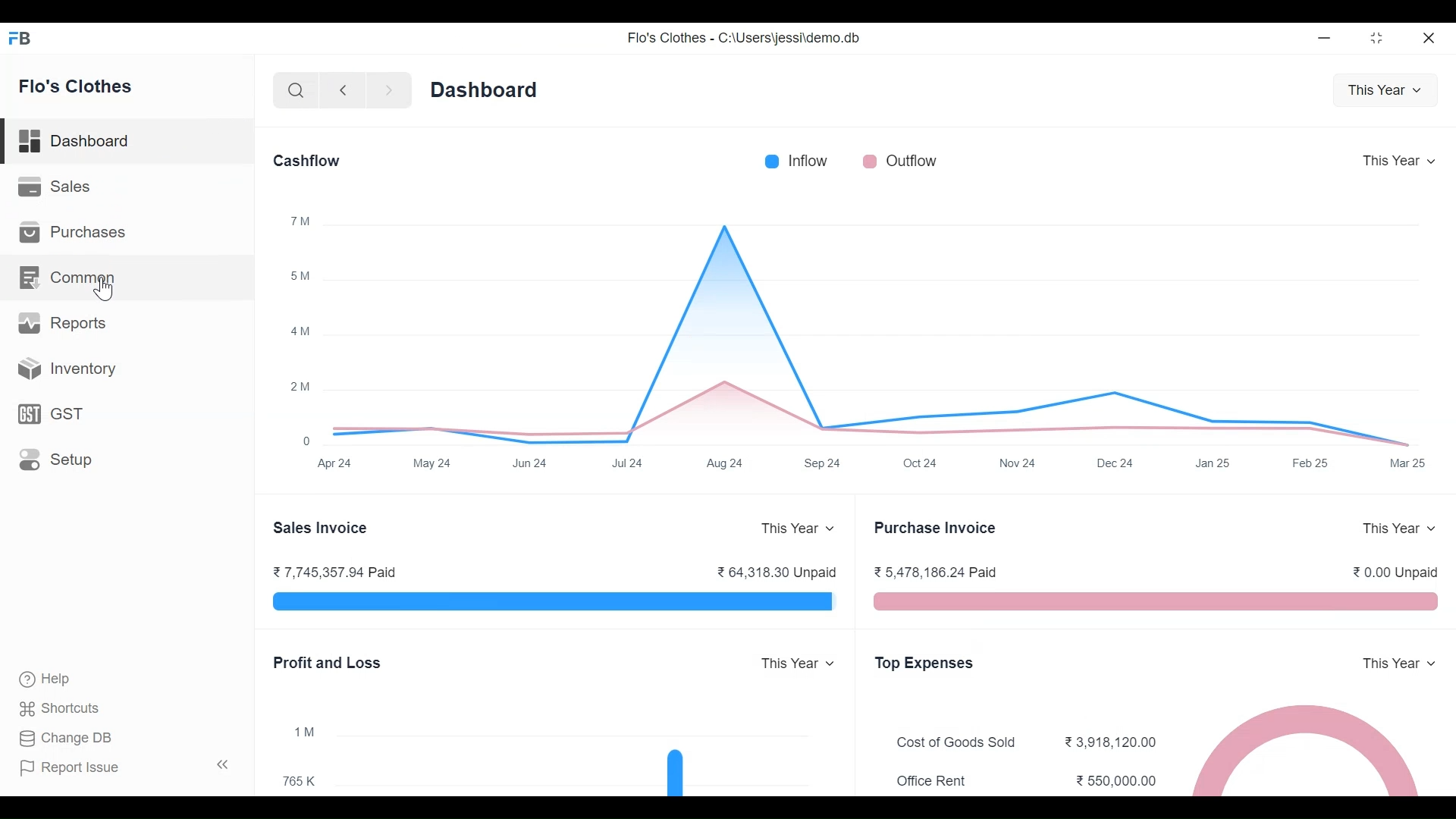  Describe the element at coordinates (933, 780) in the screenshot. I see `Office Rent` at that location.